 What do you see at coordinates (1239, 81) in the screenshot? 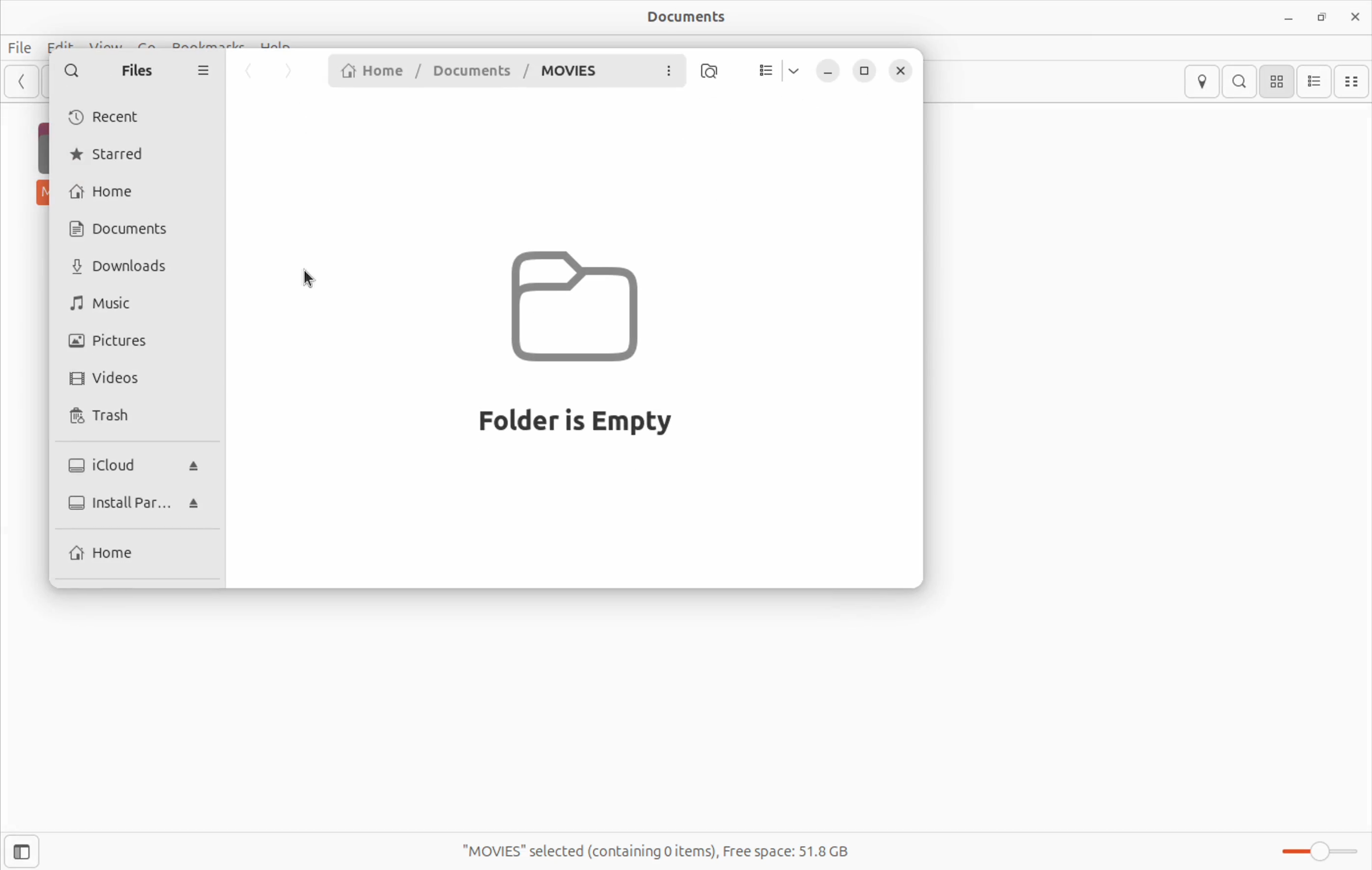
I see `search` at bounding box center [1239, 81].